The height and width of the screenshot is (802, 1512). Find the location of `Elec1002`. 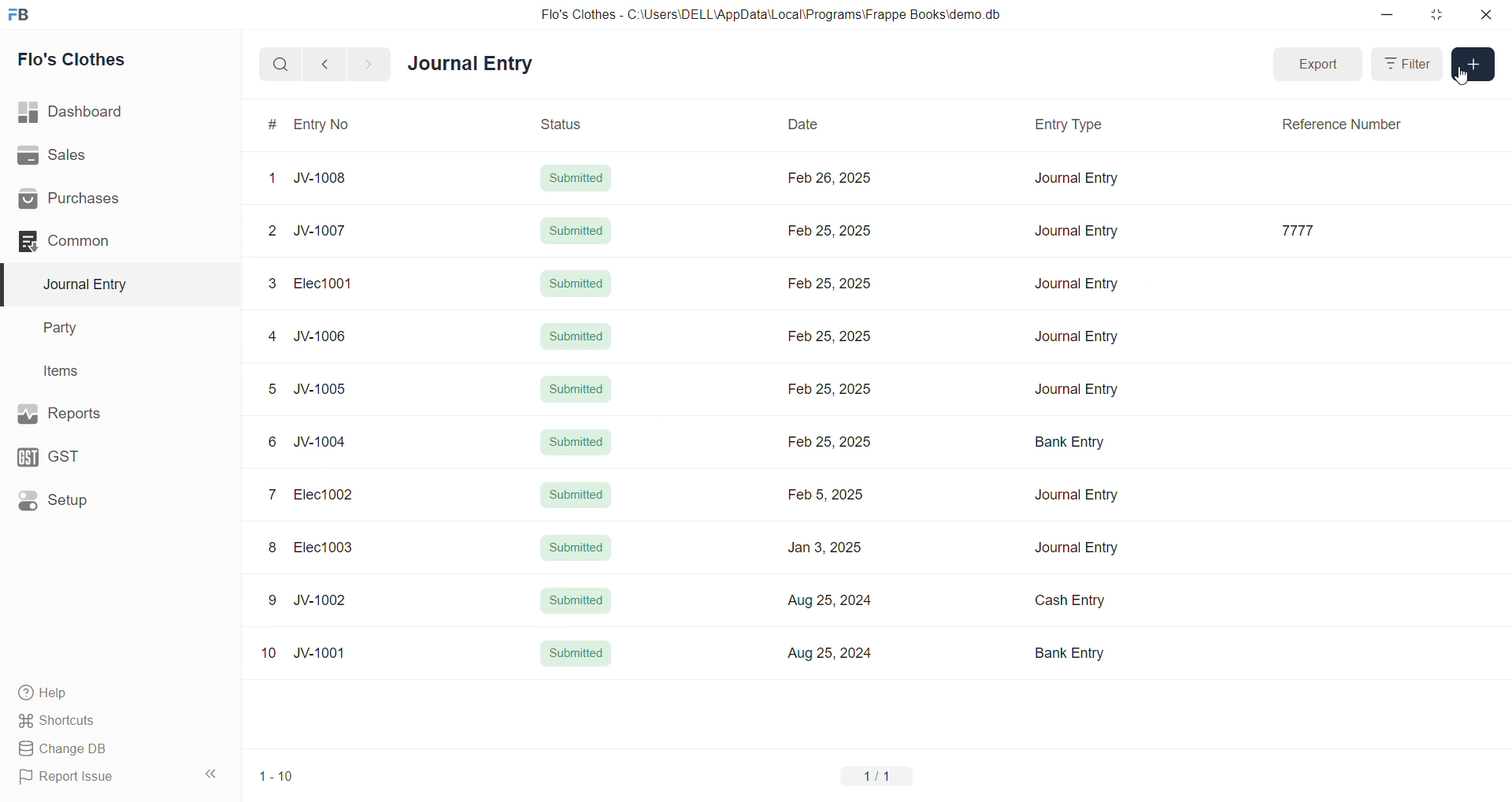

Elec1002 is located at coordinates (325, 495).